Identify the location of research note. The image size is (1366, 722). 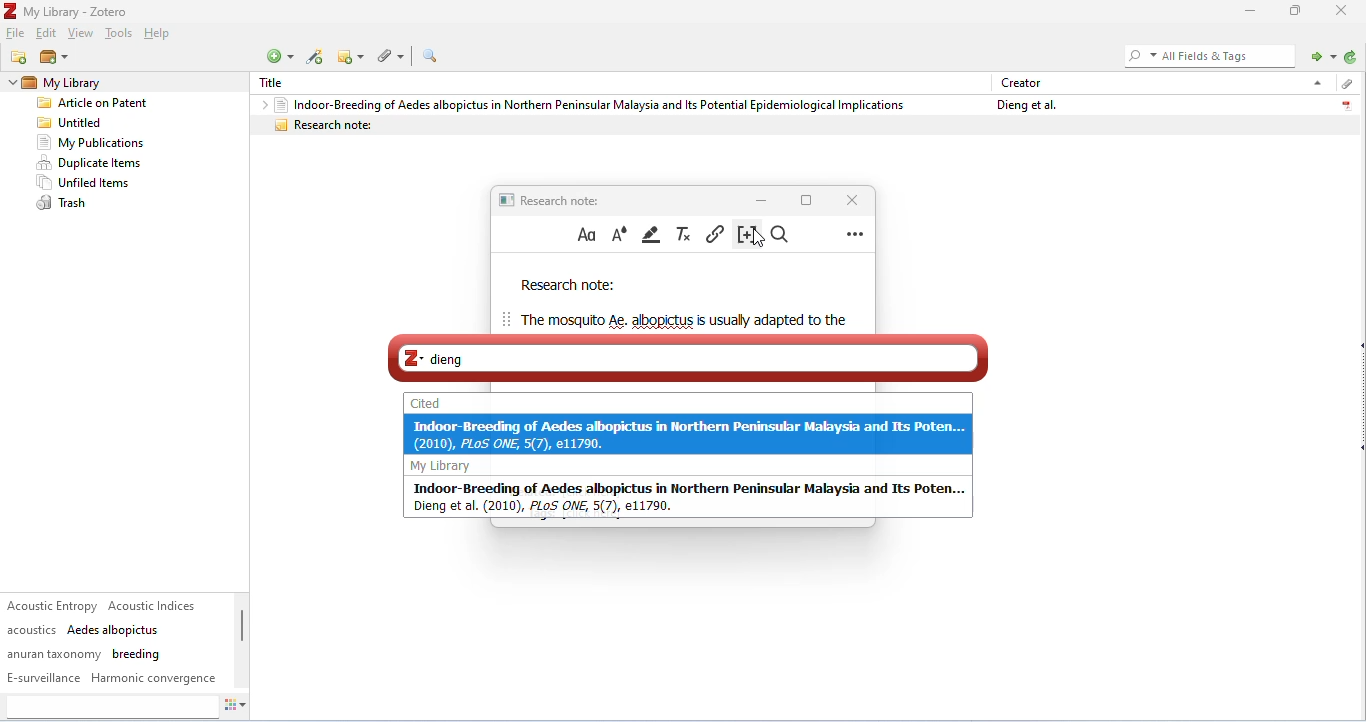
(553, 199).